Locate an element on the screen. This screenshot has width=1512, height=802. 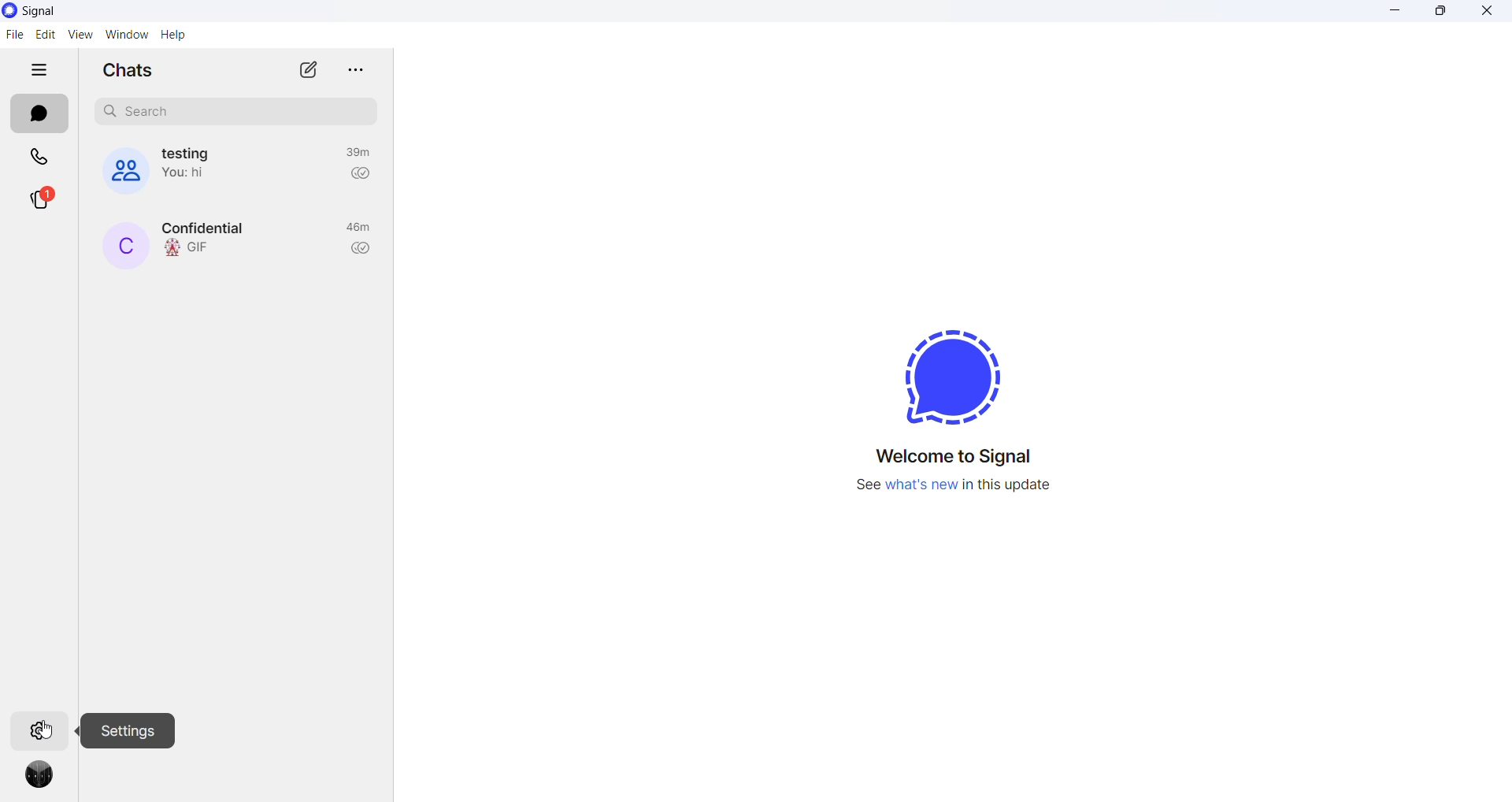
more options is located at coordinates (352, 69).